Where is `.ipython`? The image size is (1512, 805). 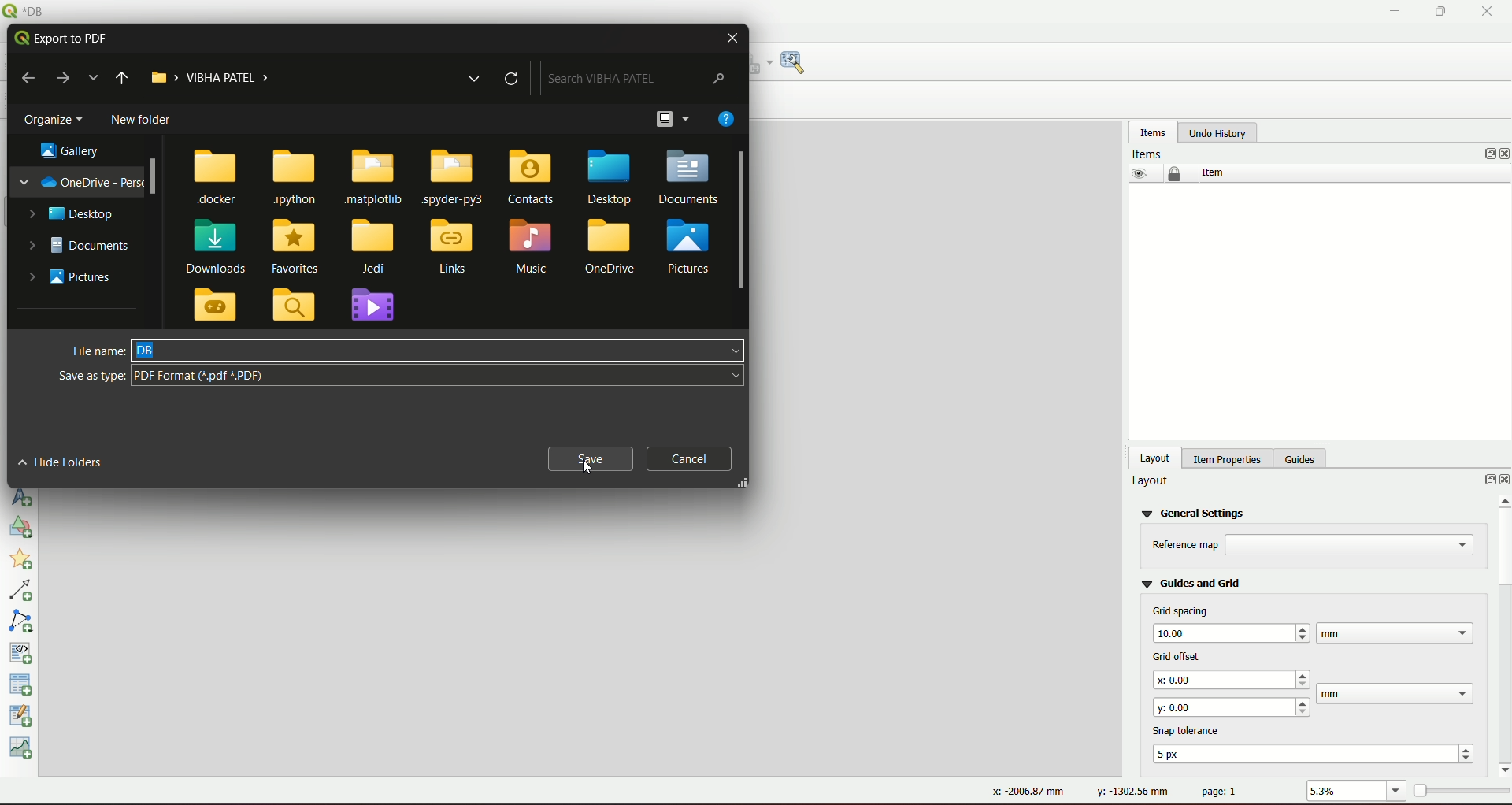 .ipython is located at coordinates (294, 178).